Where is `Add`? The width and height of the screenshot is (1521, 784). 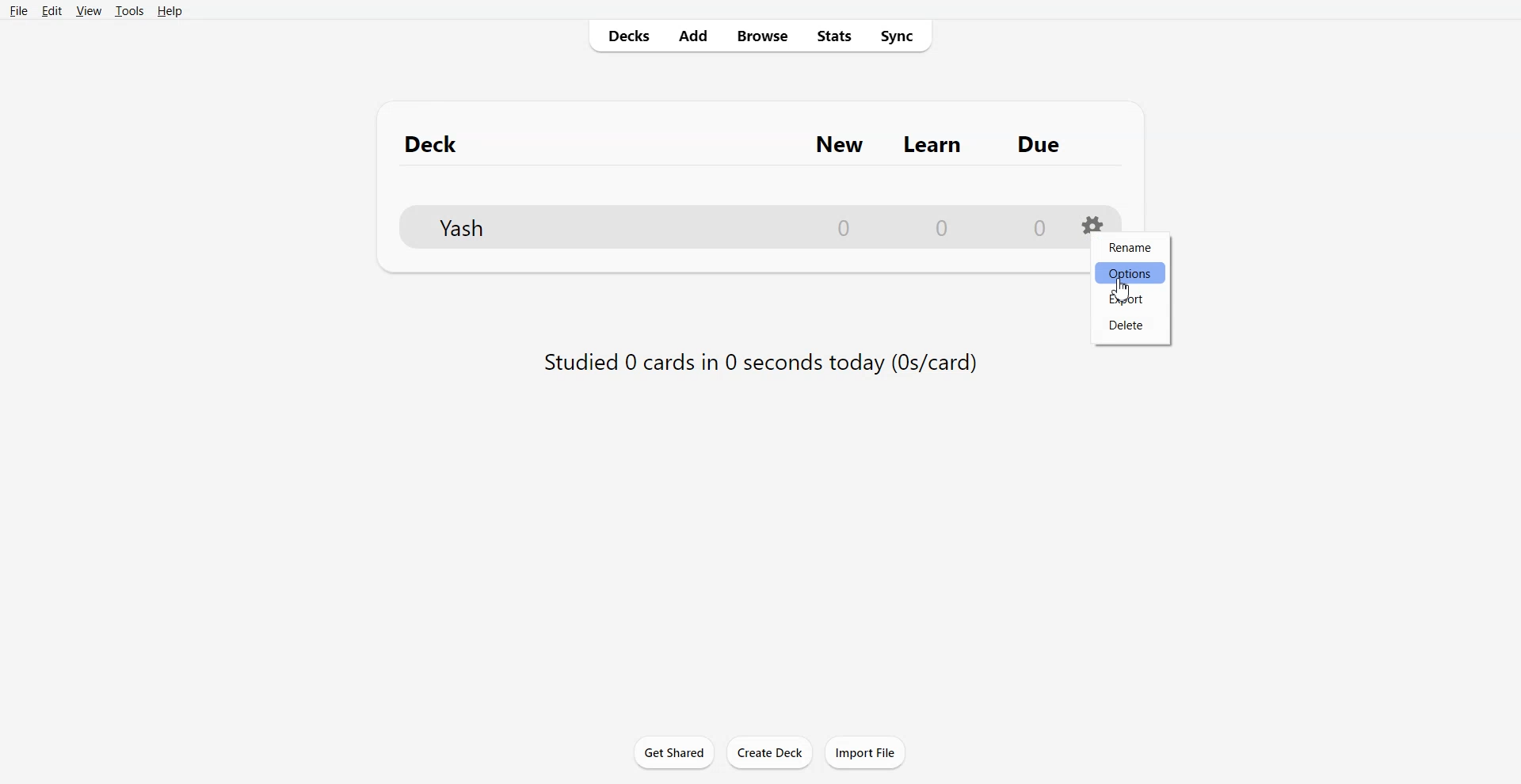 Add is located at coordinates (694, 36).